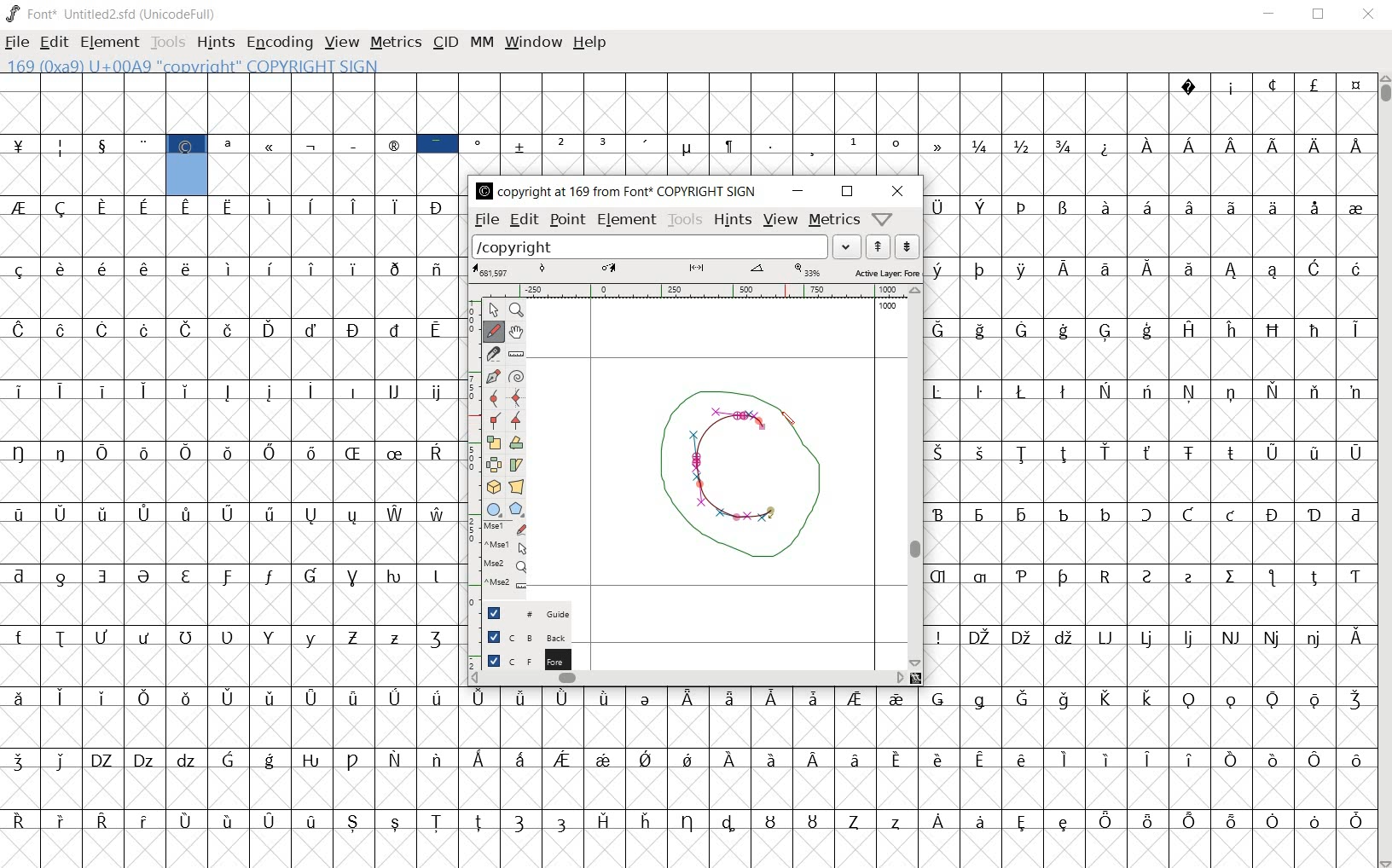 Image resolution: width=1392 pixels, height=868 pixels. What do you see at coordinates (612, 192) in the screenshot?
I see `COPYRIGHT AT 169 FROM FONT COPYRIGHT SIGN` at bounding box center [612, 192].